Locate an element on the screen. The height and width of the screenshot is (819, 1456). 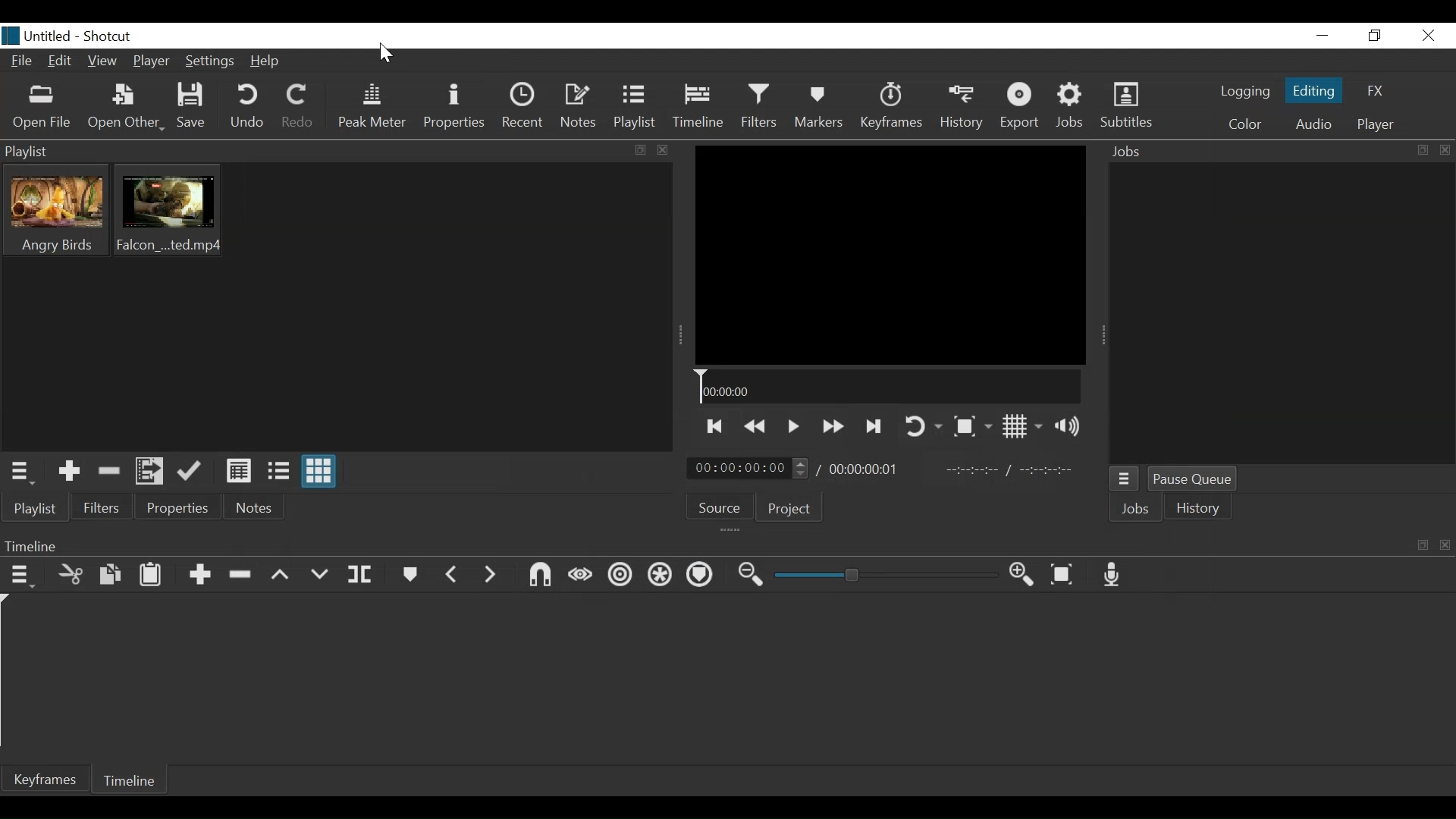
Skip to the previous point is located at coordinates (717, 426).